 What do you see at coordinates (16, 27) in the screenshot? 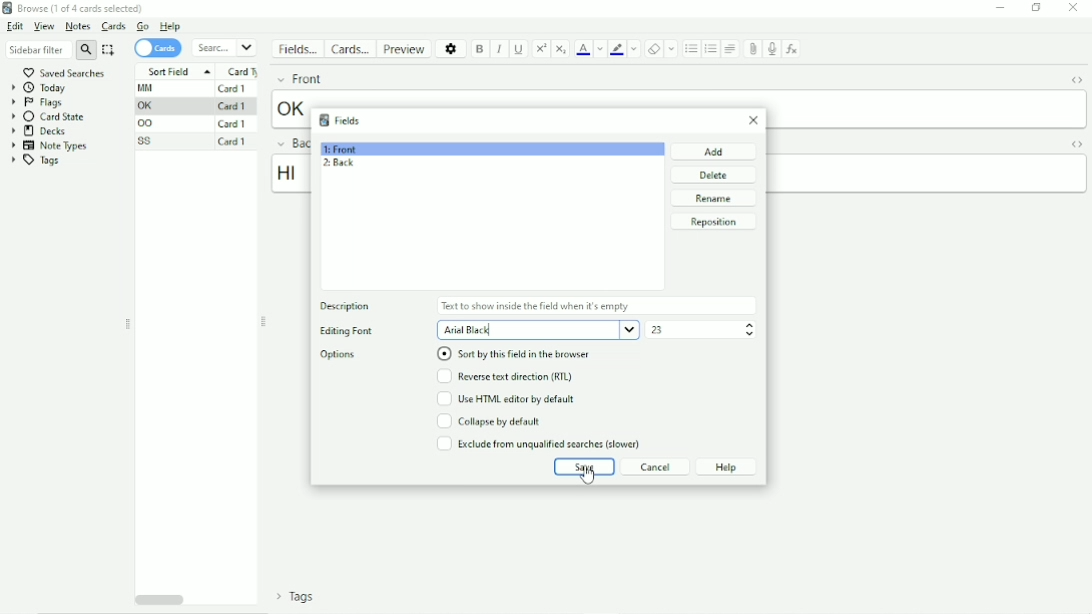
I see `Edit` at bounding box center [16, 27].